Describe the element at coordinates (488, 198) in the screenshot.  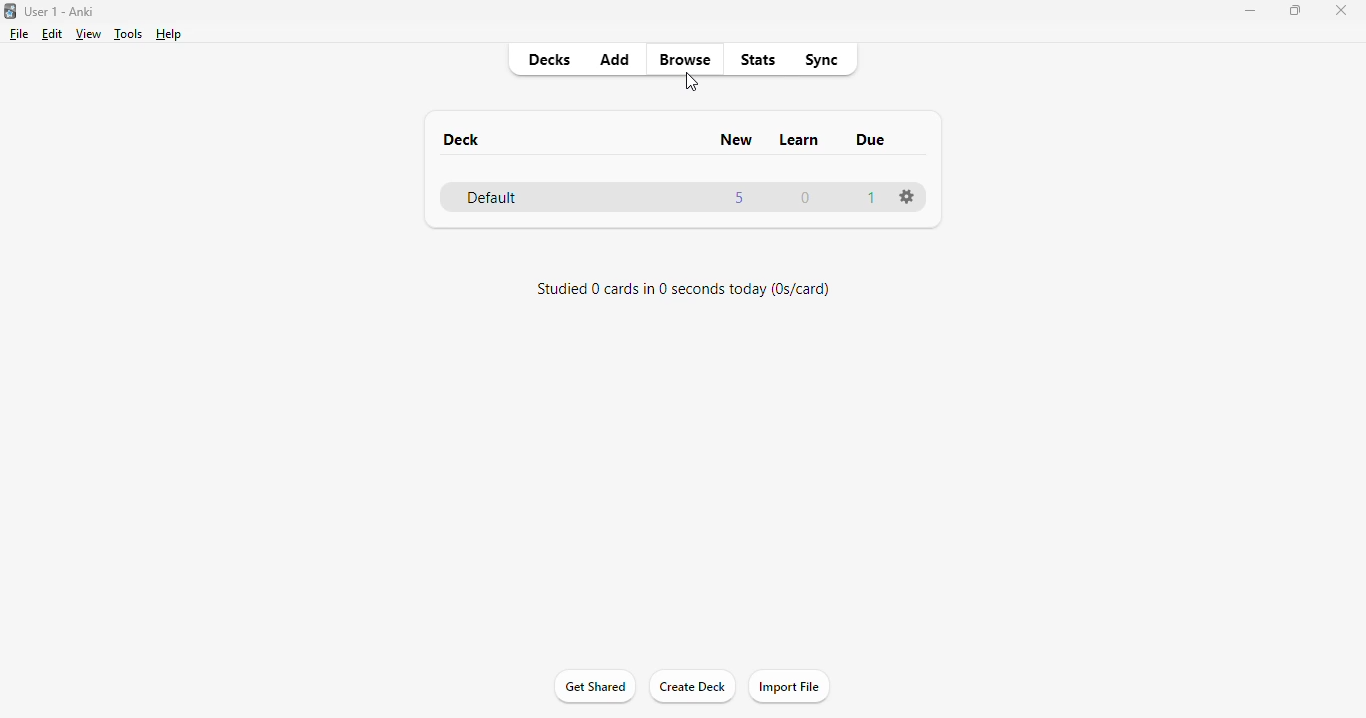
I see `default` at that location.